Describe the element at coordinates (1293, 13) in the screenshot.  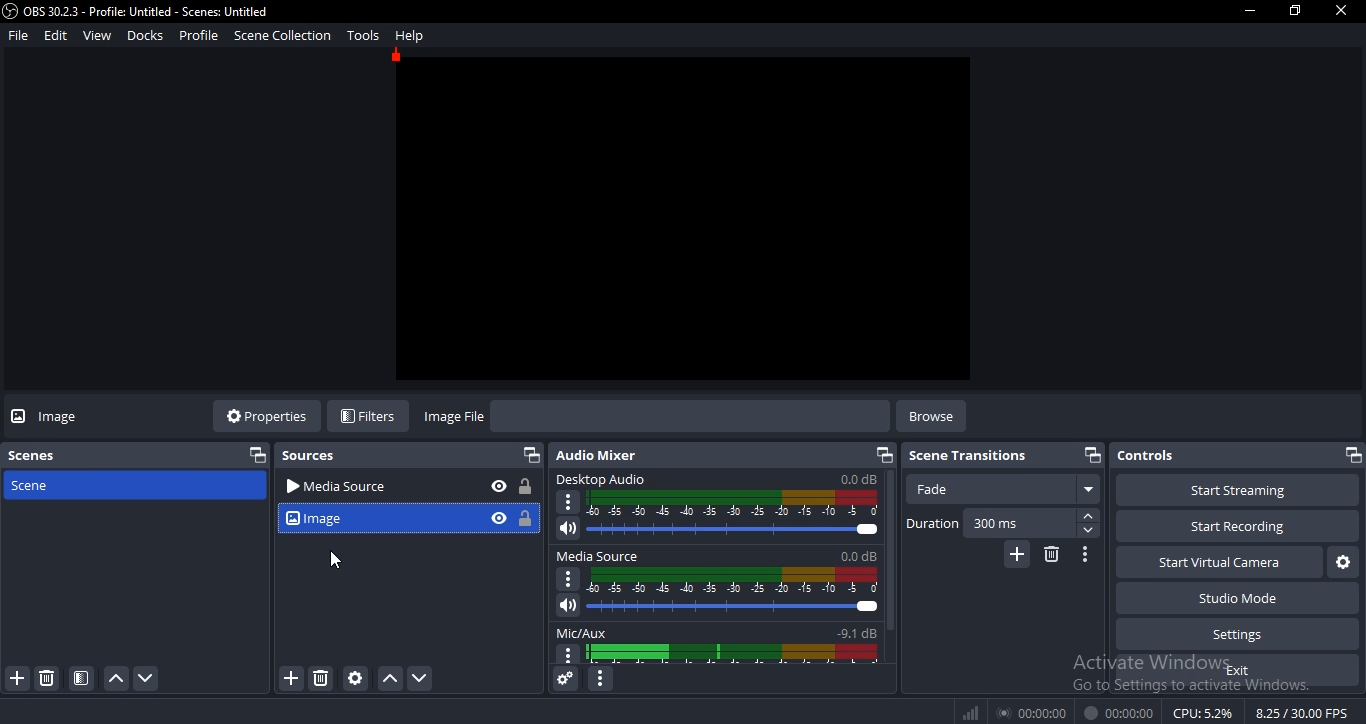
I see `restore window` at that location.